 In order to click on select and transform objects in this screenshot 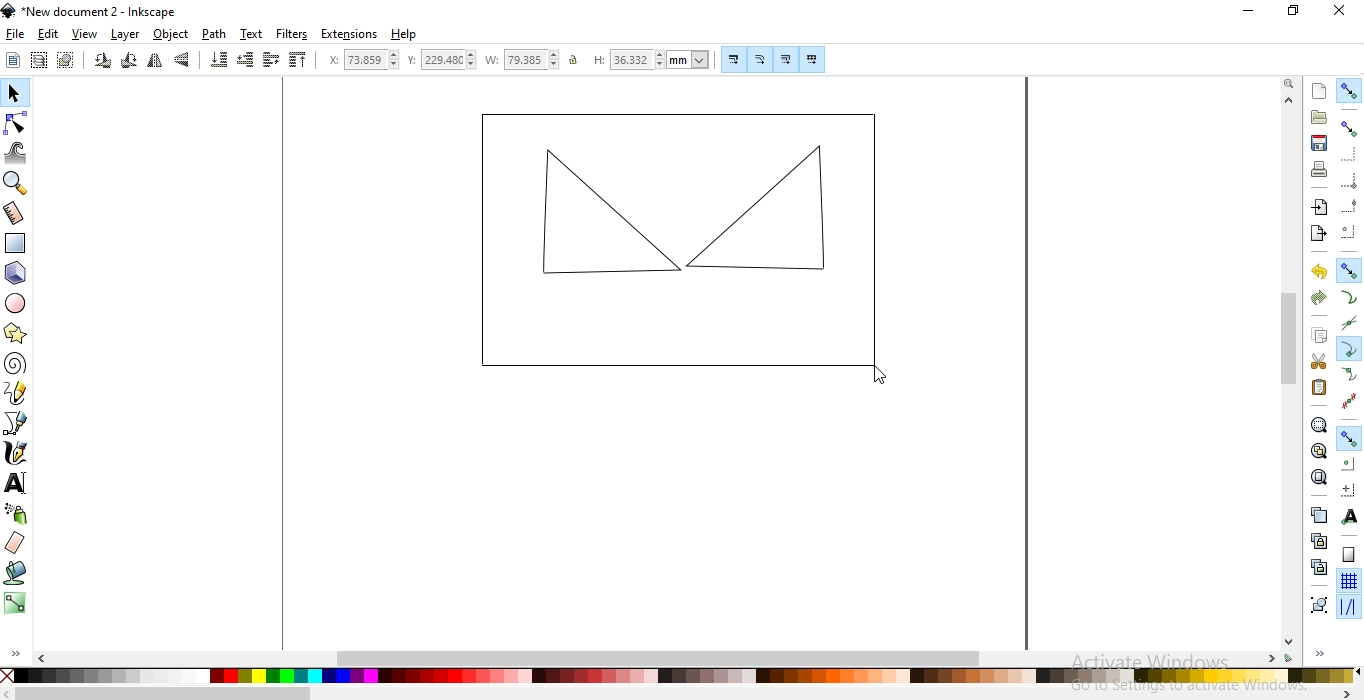, I will do `click(15, 93)`.